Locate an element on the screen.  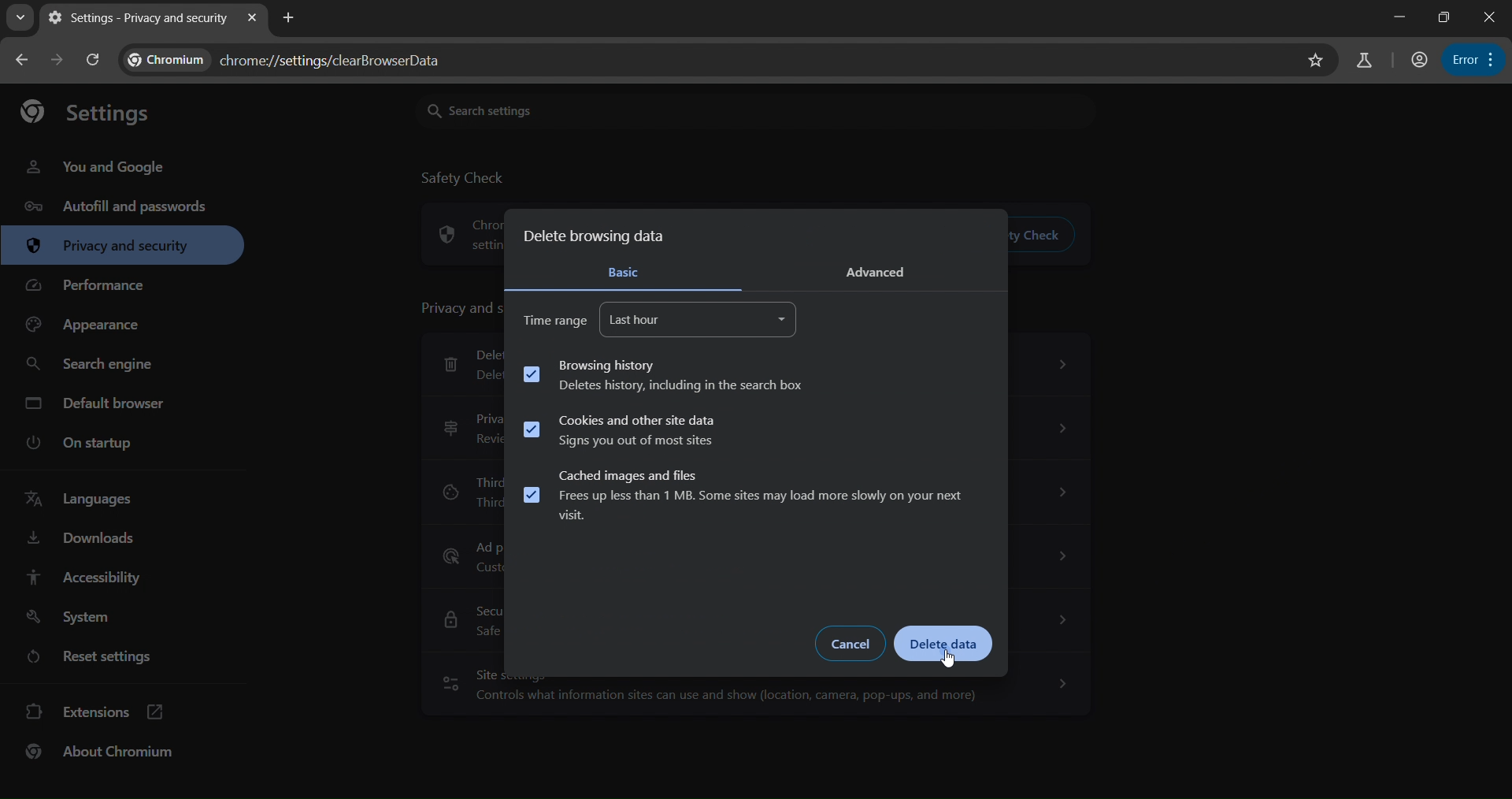
go back one page is located at coordinates (22, 58).